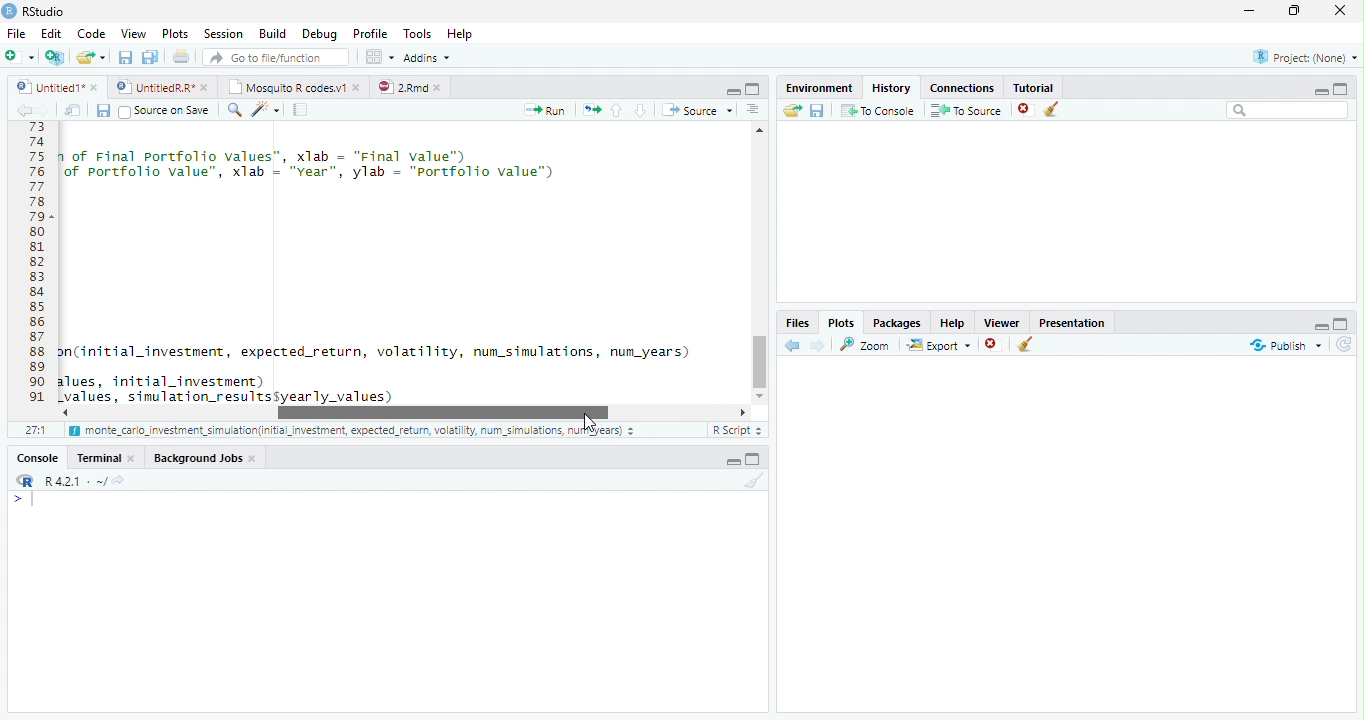  What do you see at coordinates (737, 430) in the screenshot?
I see `R Script` at bounding box center [737, 430].